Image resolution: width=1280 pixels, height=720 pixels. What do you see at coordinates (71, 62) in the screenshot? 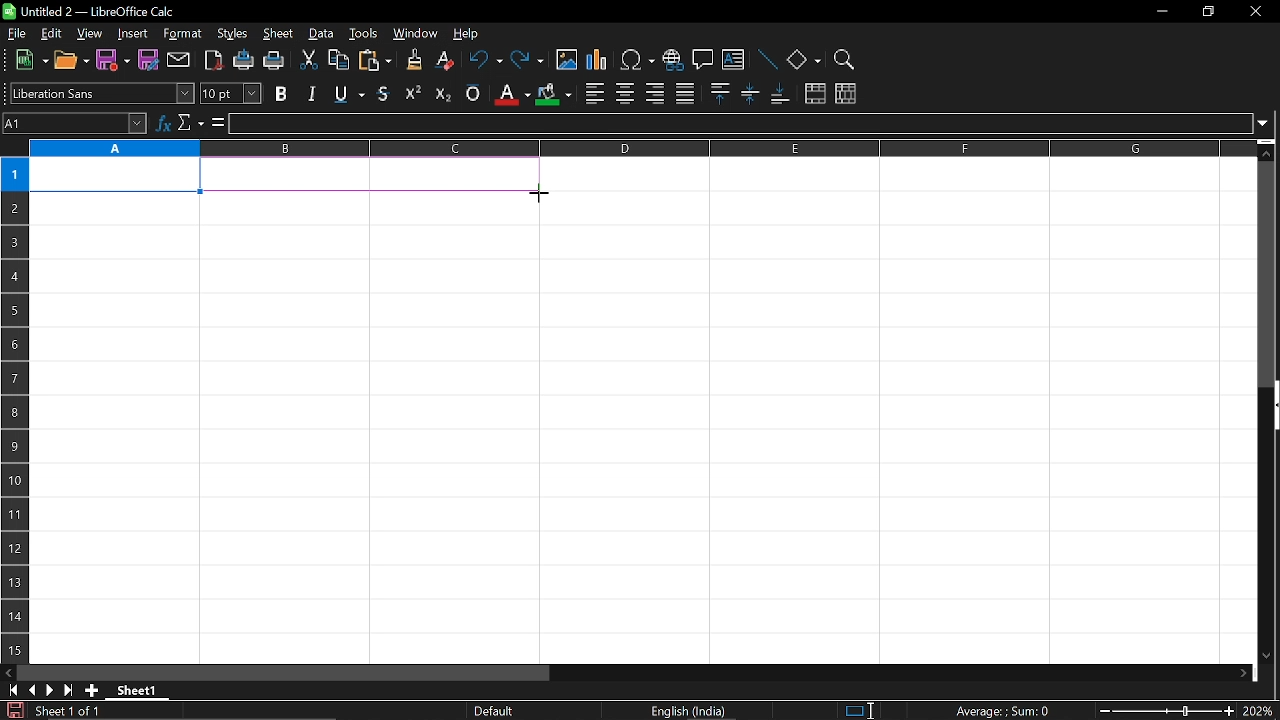
I see `open` at bounding box center [71, 62].